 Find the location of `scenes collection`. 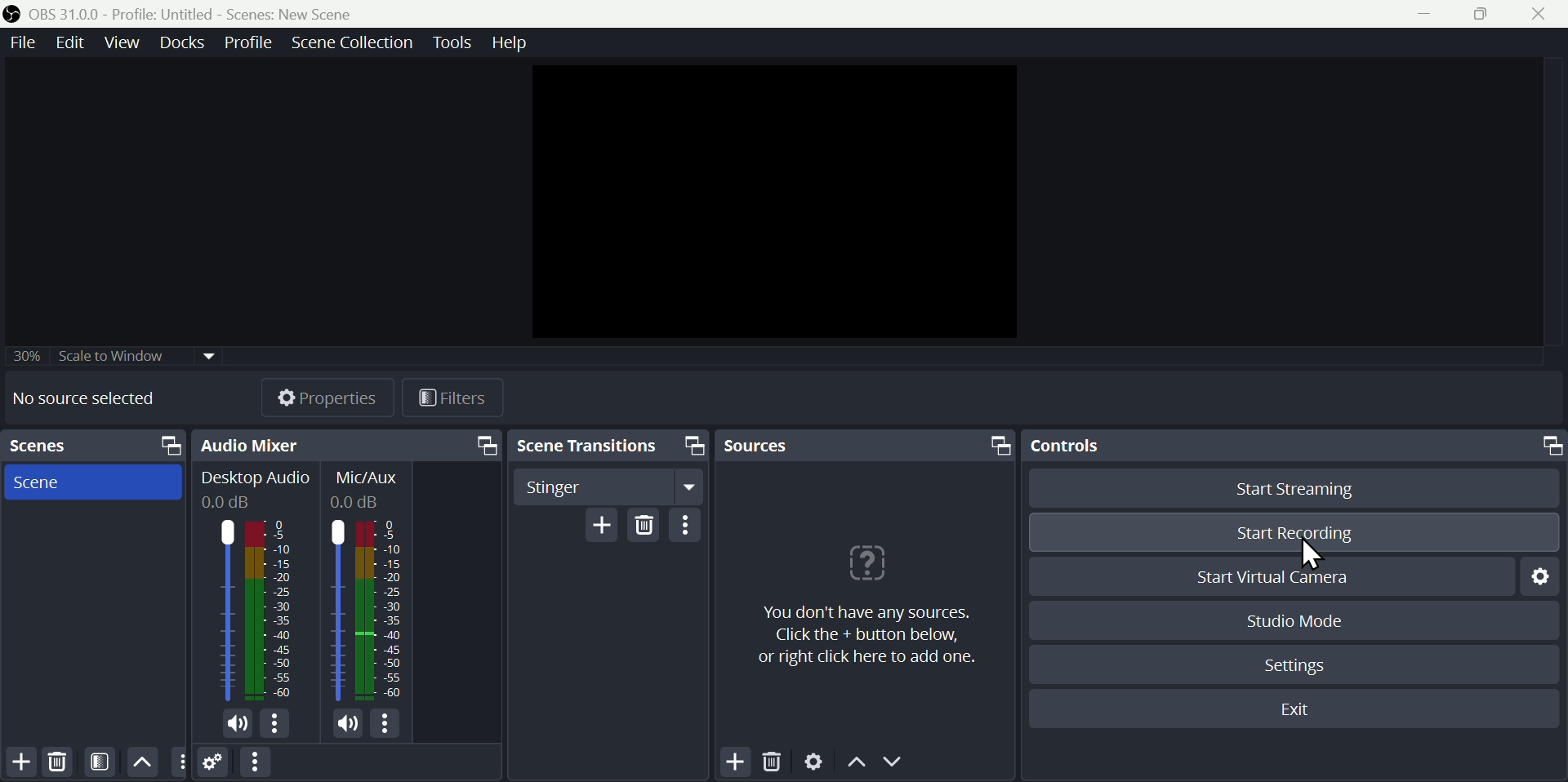

scenes collection is located at coordinates (351, 42).